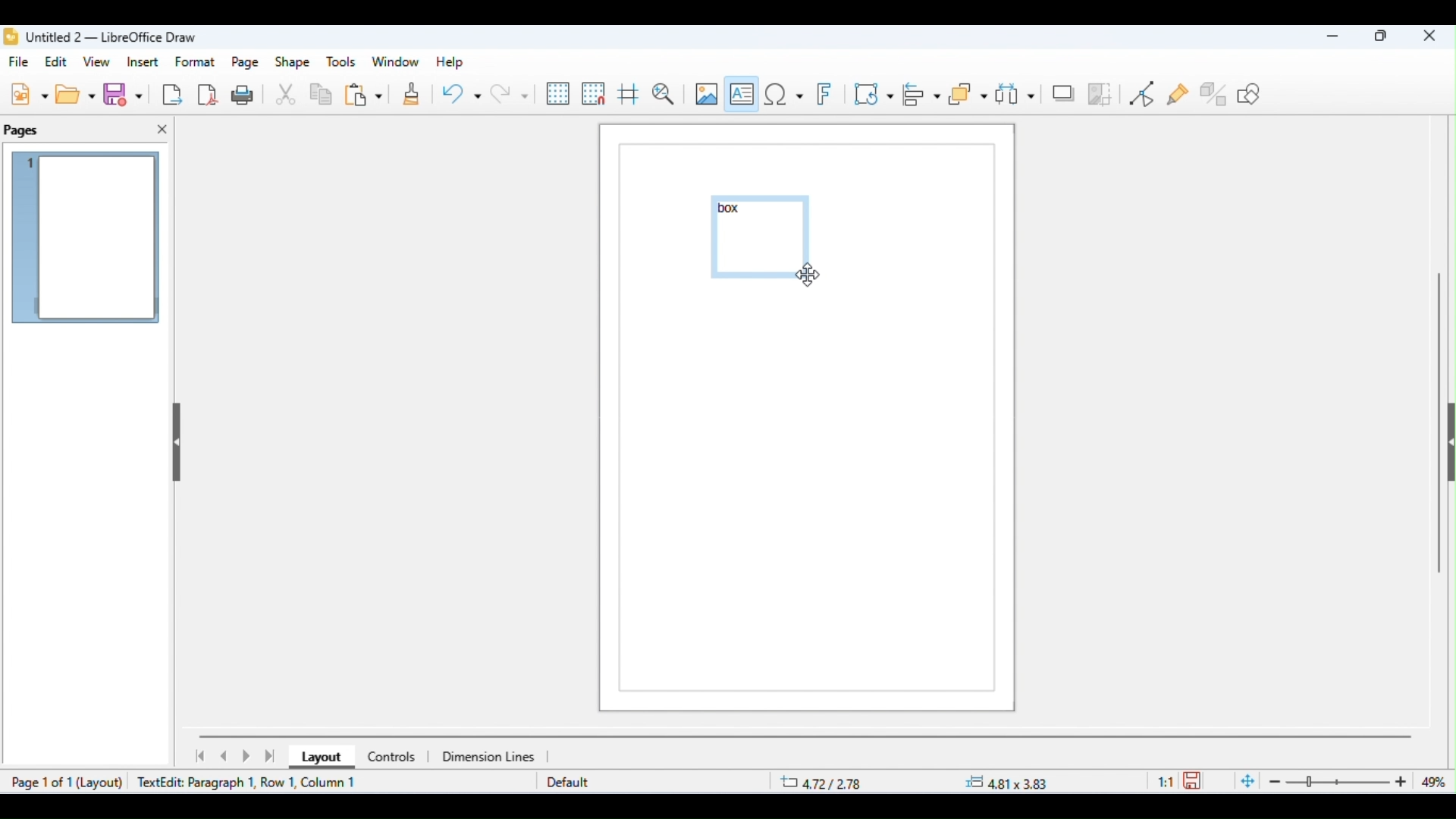 The image size is (1456, 819). What do you see at coordinates (318, 758) in the screenshot?
I see `layout` at bounding box center [318, 758].